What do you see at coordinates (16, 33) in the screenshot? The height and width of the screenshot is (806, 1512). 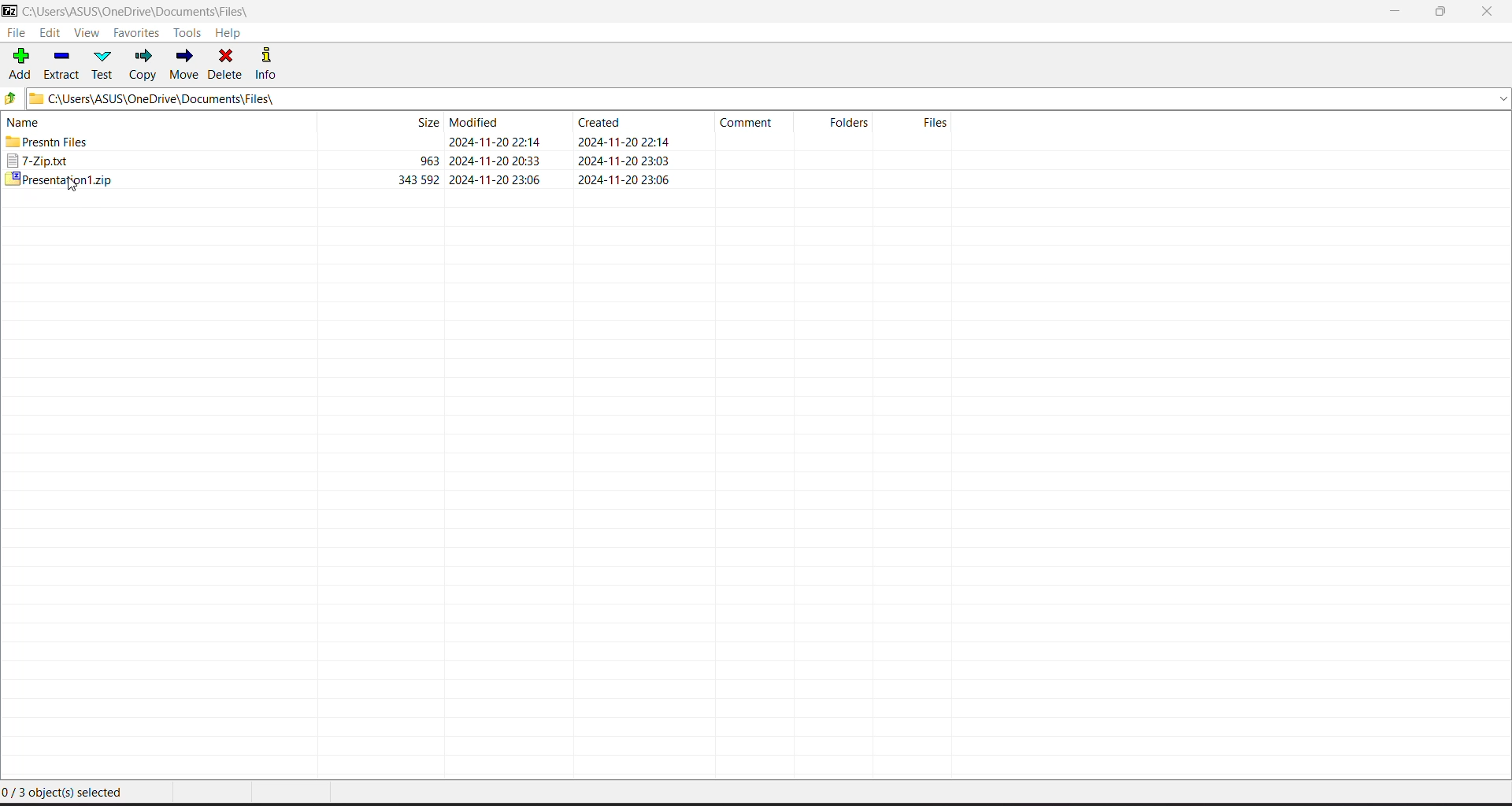 I see `File` at bounding box center [16, 33].